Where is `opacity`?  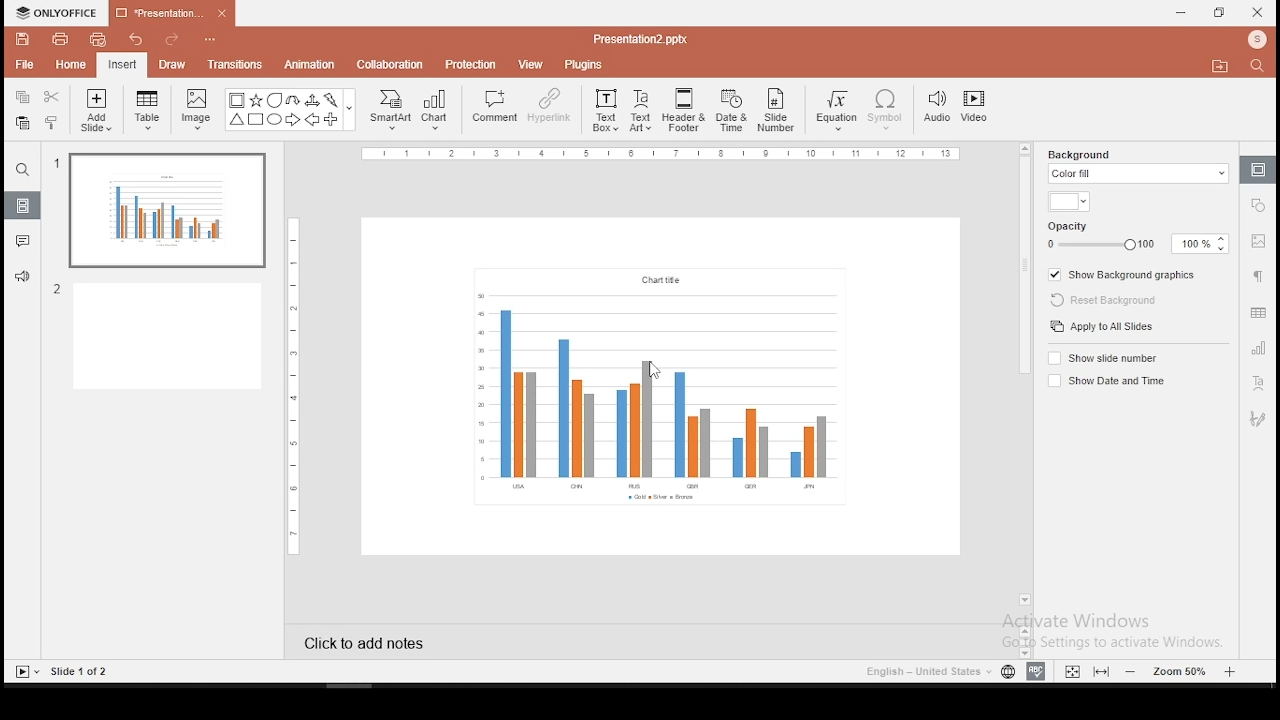 opacity is located at coordinates (1138, 236).